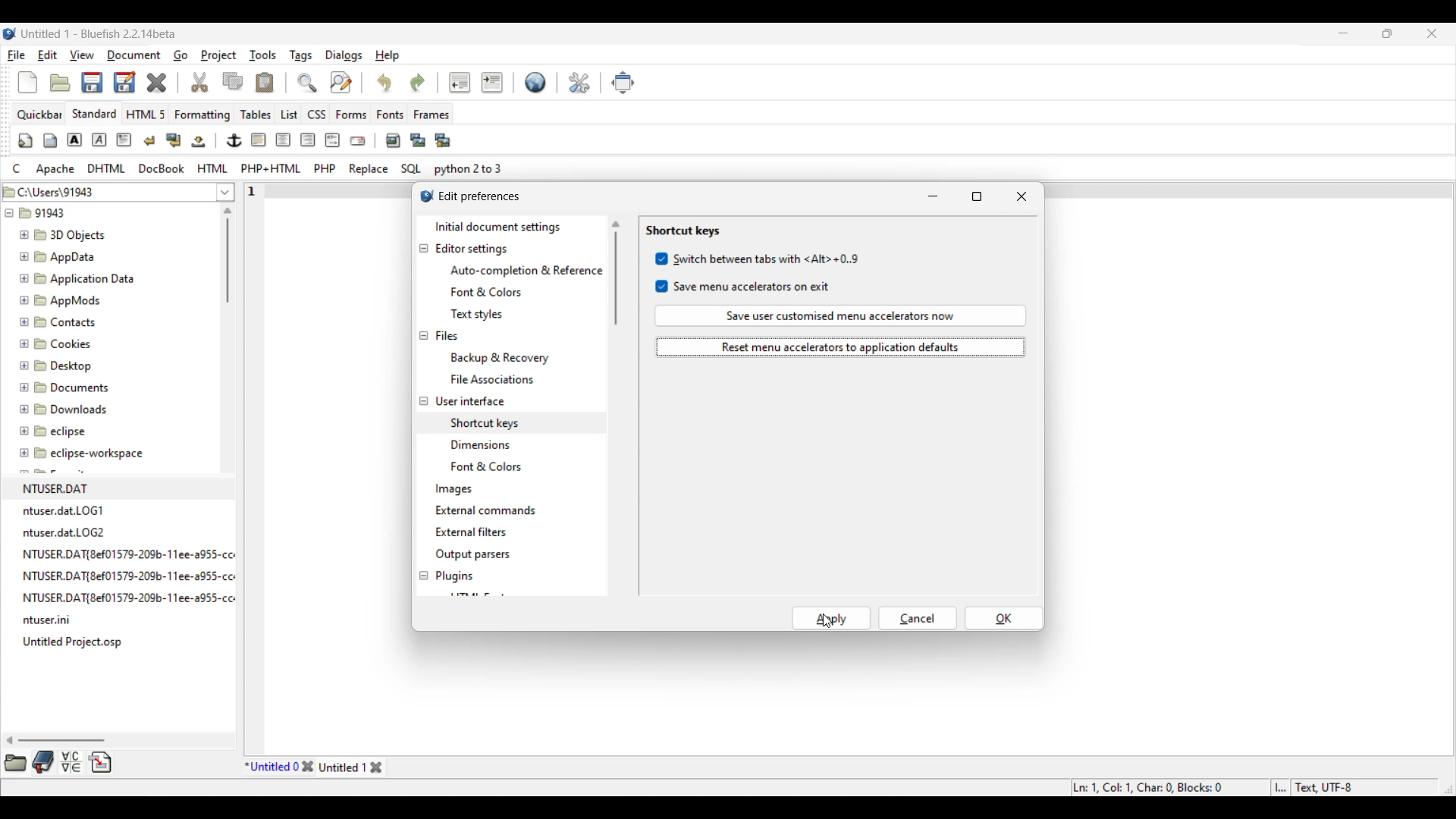 The image size is (1456, 819). I want to click on Switch between tabs with <Alt>+0.9, so click(758, 259).